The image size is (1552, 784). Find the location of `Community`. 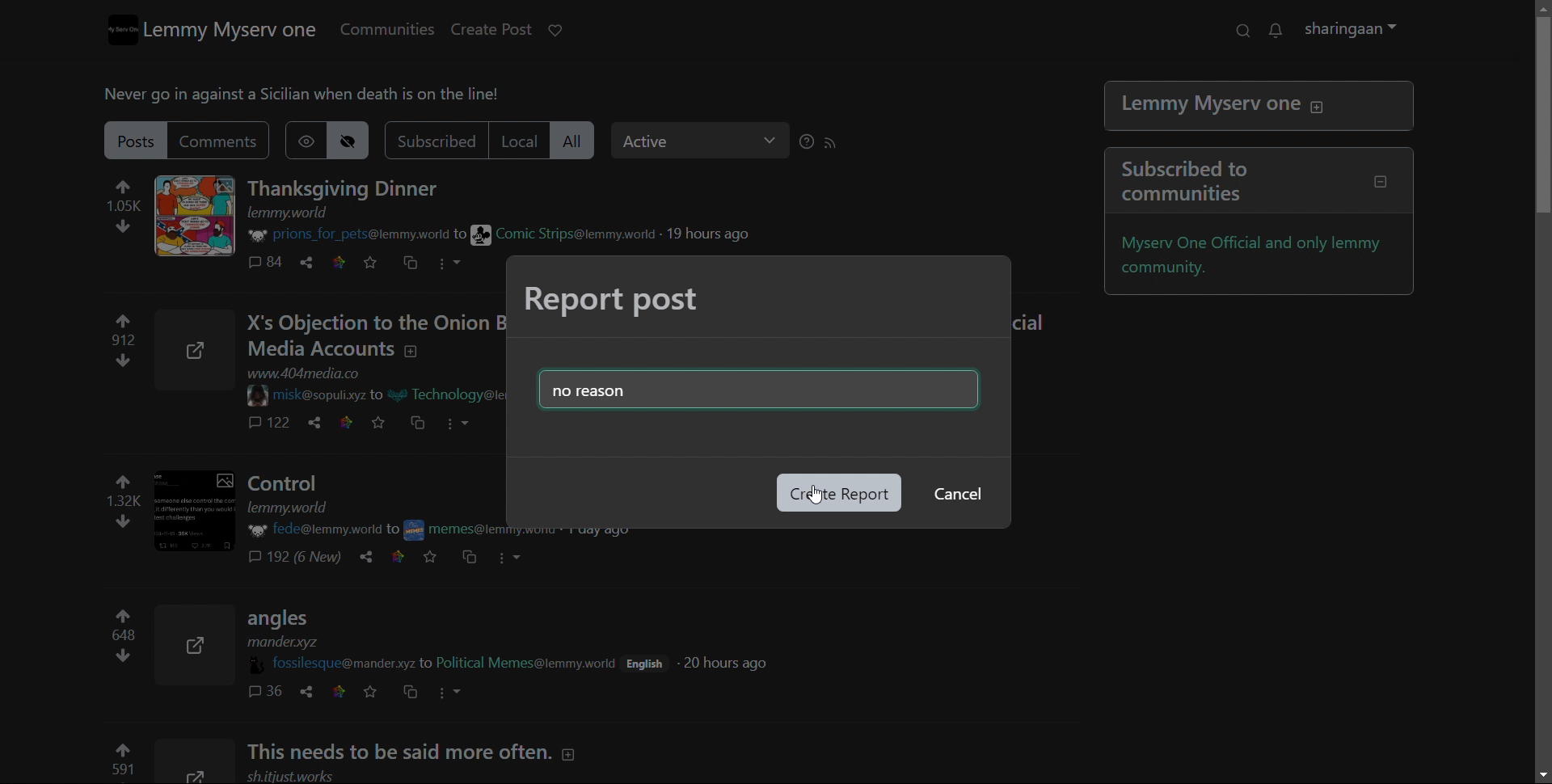

Community is located at coordinates (459, 397).